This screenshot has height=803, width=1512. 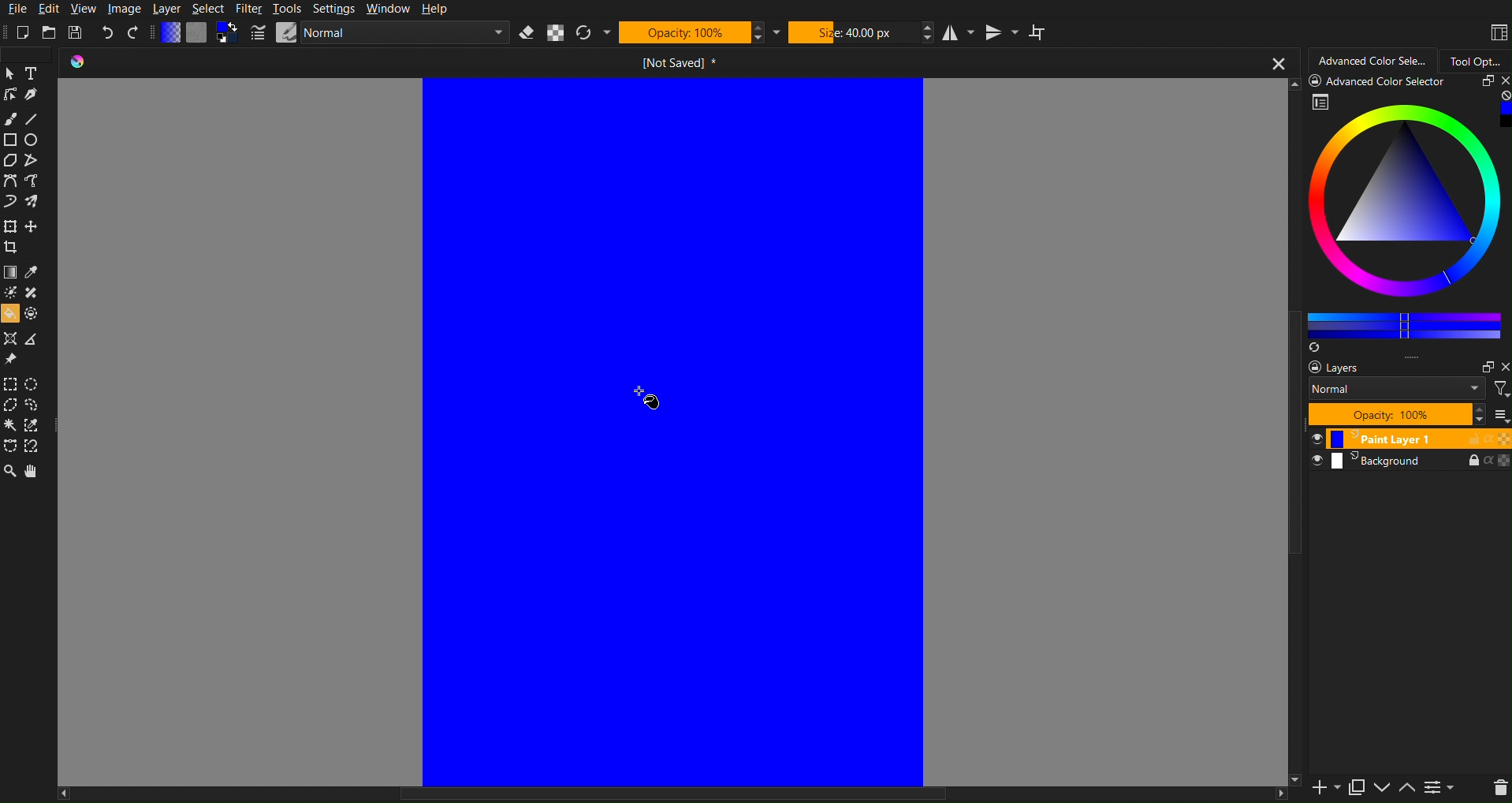 What do you see at coordinates (648, 396) in the screenshot?
I see `Cursor (Fill)` at bounding box center [648, 396].